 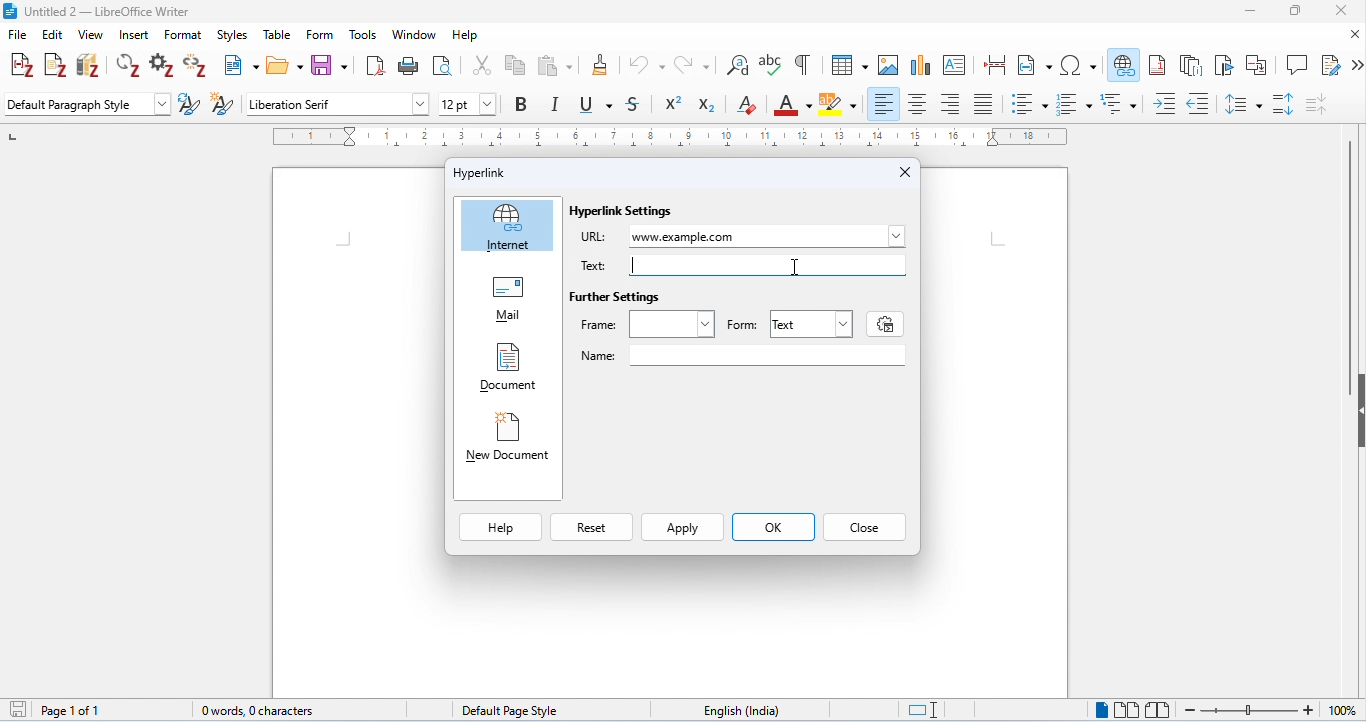 I want to click on multilevel list, so click(x=1121, y=105).